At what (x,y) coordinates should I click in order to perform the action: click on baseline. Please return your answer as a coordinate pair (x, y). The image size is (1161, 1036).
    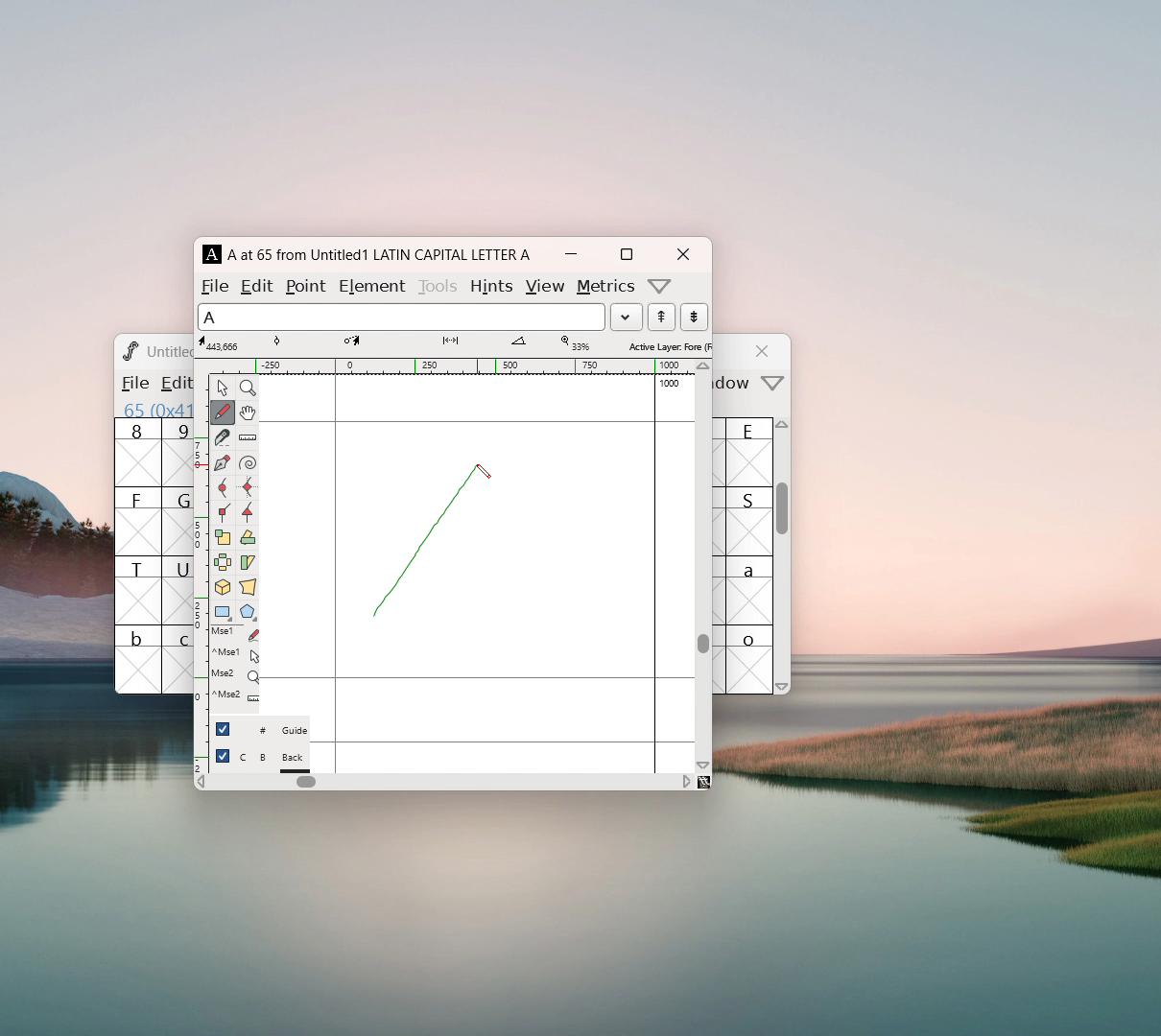
    Looking at the image, I should click on (478, 678).